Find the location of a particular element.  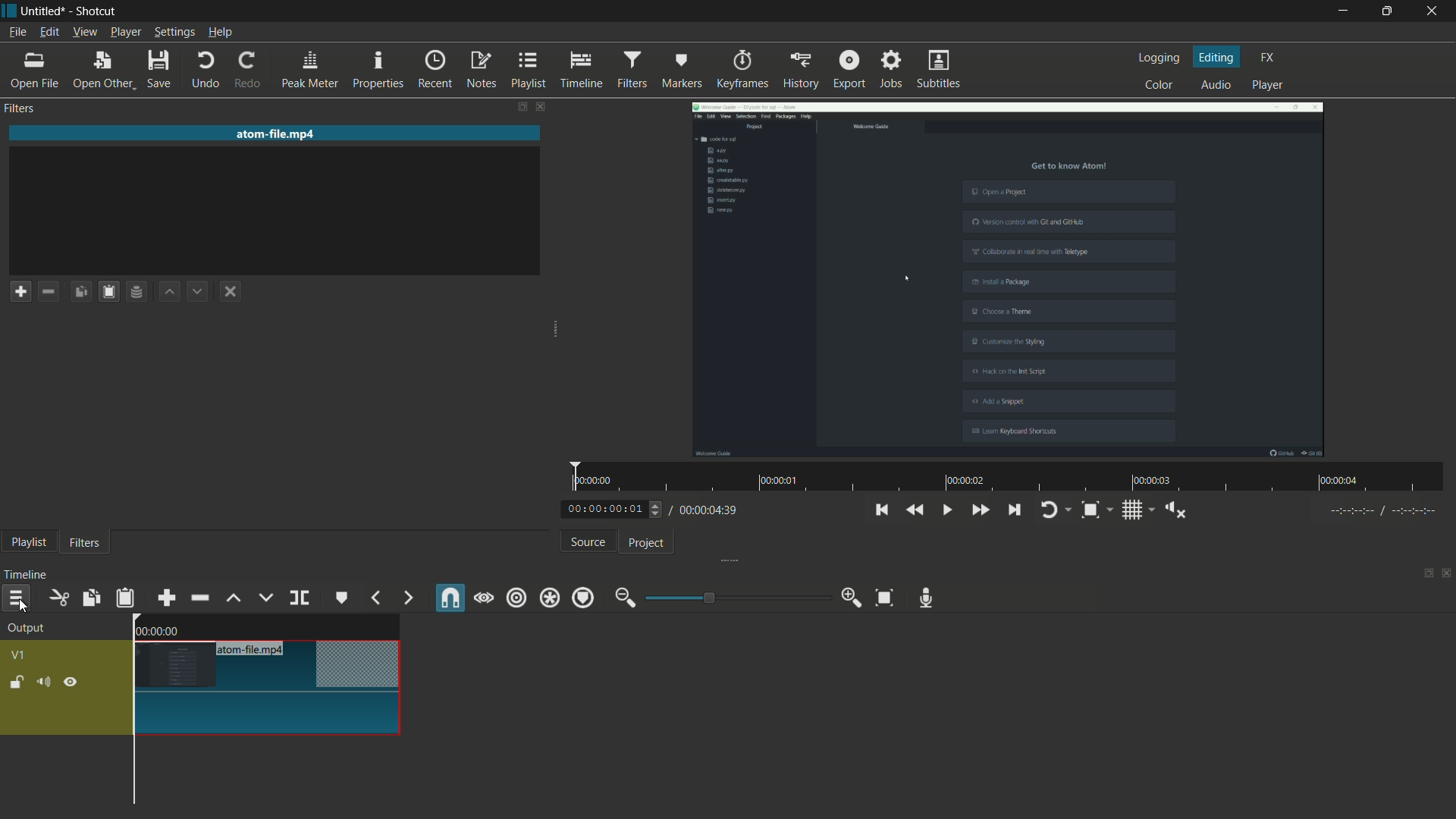

paste is located at coordinates (125, 598).